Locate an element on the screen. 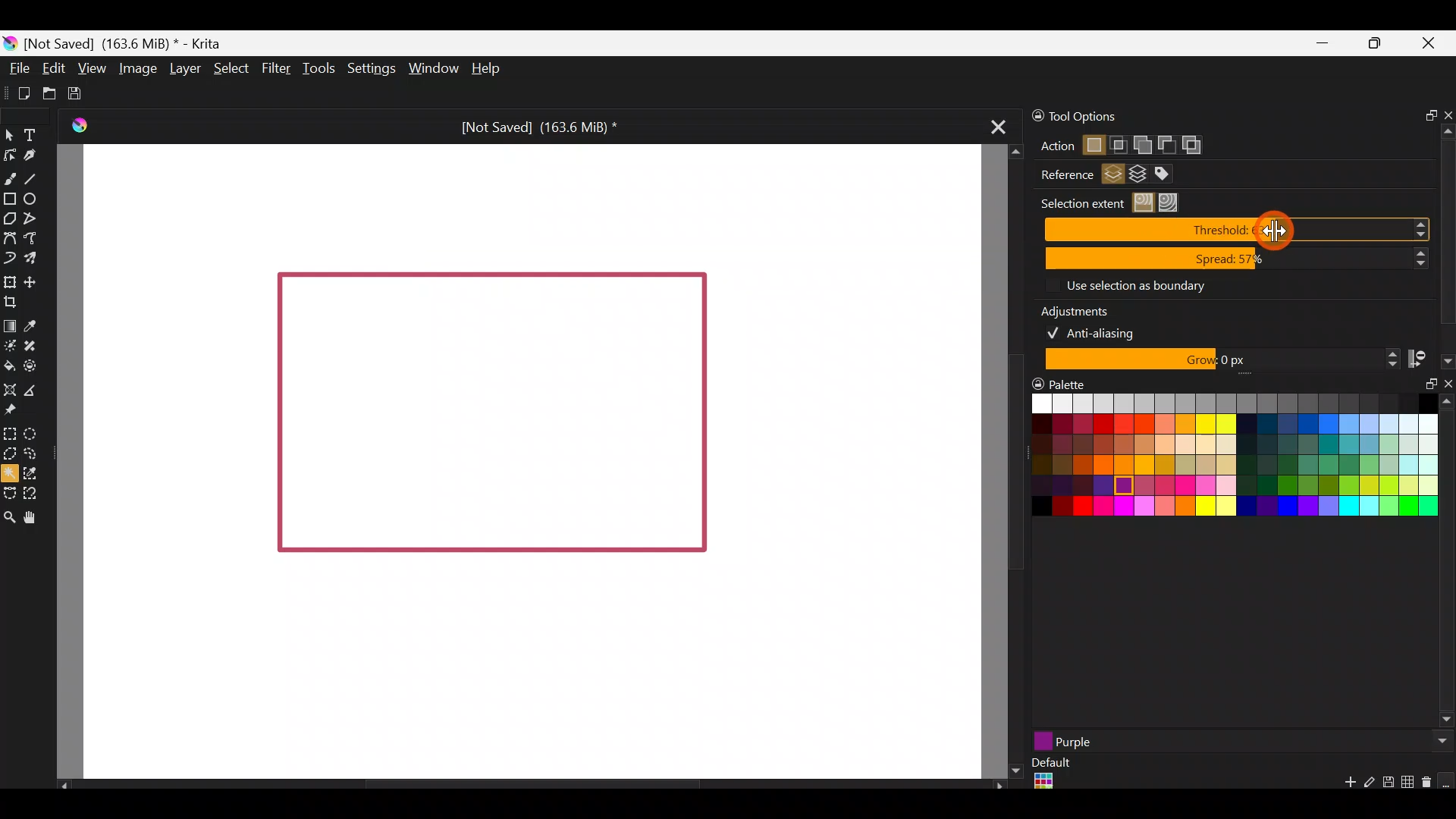  Assistant tool is located at coordinates (10, 388).